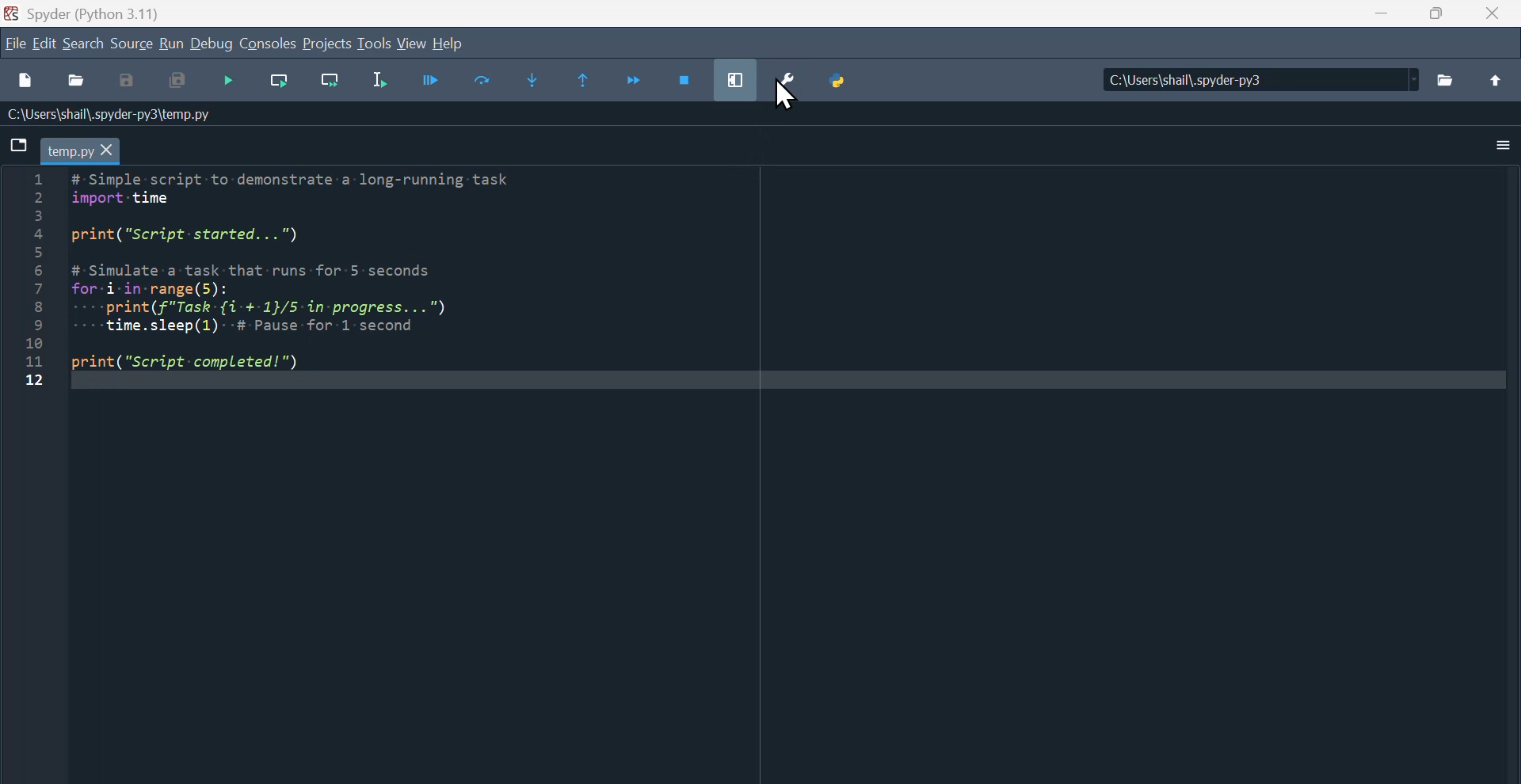  What do you see at coordinates (583, 80) in the screenshot?
I see `Execute until same function returns` at bounding box center [583, 80].